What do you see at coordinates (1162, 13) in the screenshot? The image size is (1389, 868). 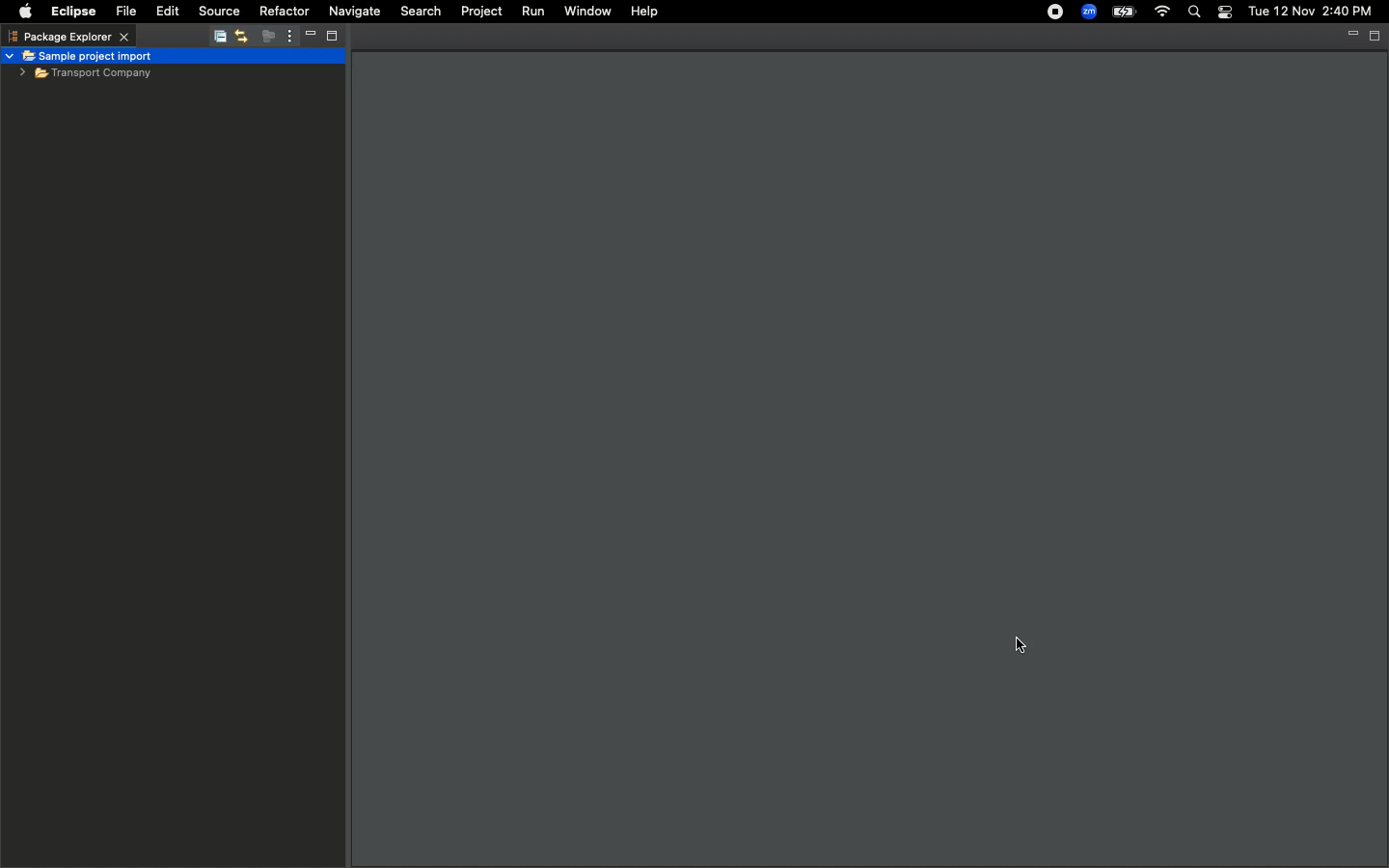 I see `Internet` at bounding box center [1162, 13].